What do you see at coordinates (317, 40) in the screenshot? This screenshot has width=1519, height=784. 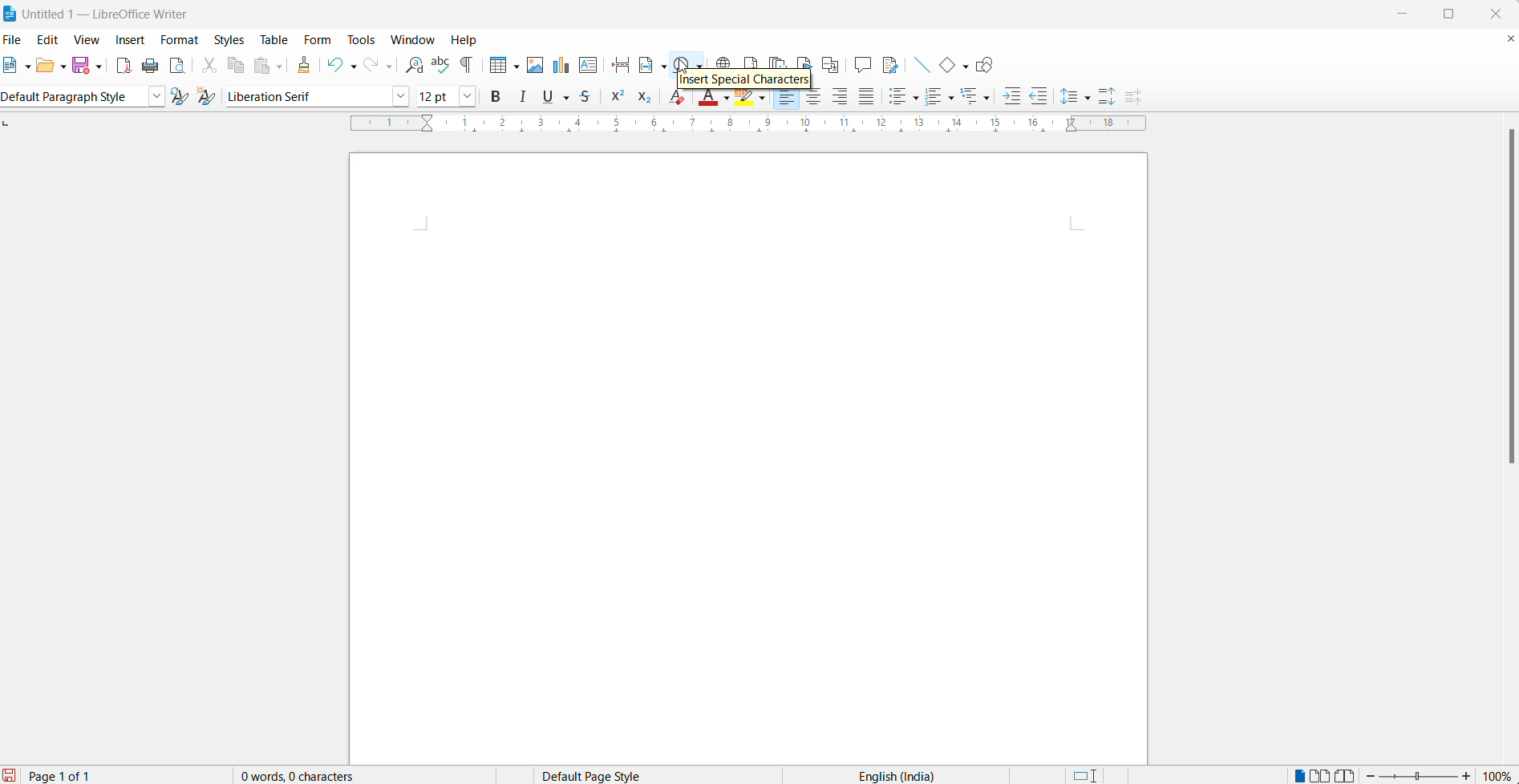 I see `form` at bounding box center [317, 40].